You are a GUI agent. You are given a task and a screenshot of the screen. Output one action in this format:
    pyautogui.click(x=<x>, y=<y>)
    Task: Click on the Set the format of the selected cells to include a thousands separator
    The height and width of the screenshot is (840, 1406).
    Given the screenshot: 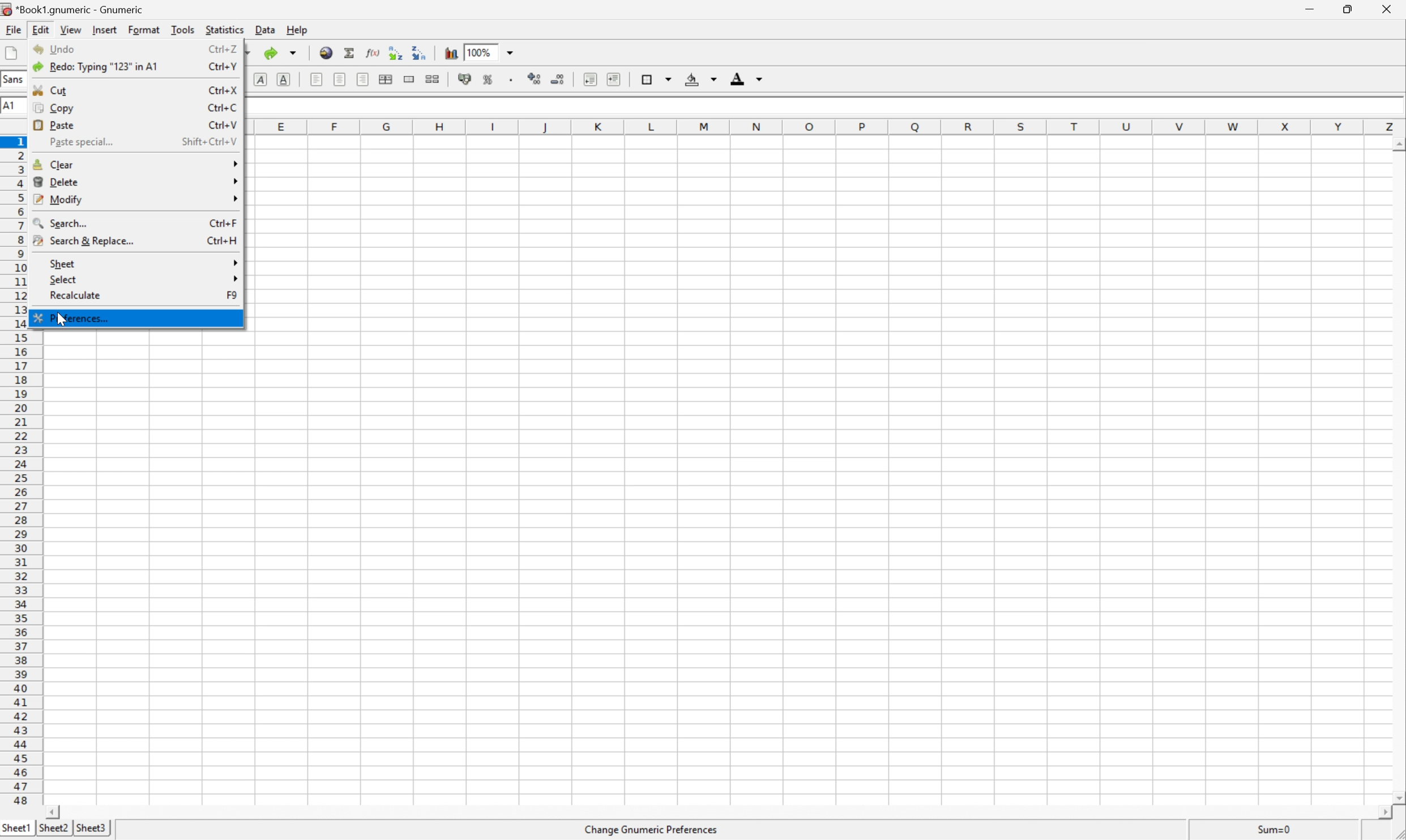 What is the action you would take?
    pyautogui.click(x=509, y=80)
    